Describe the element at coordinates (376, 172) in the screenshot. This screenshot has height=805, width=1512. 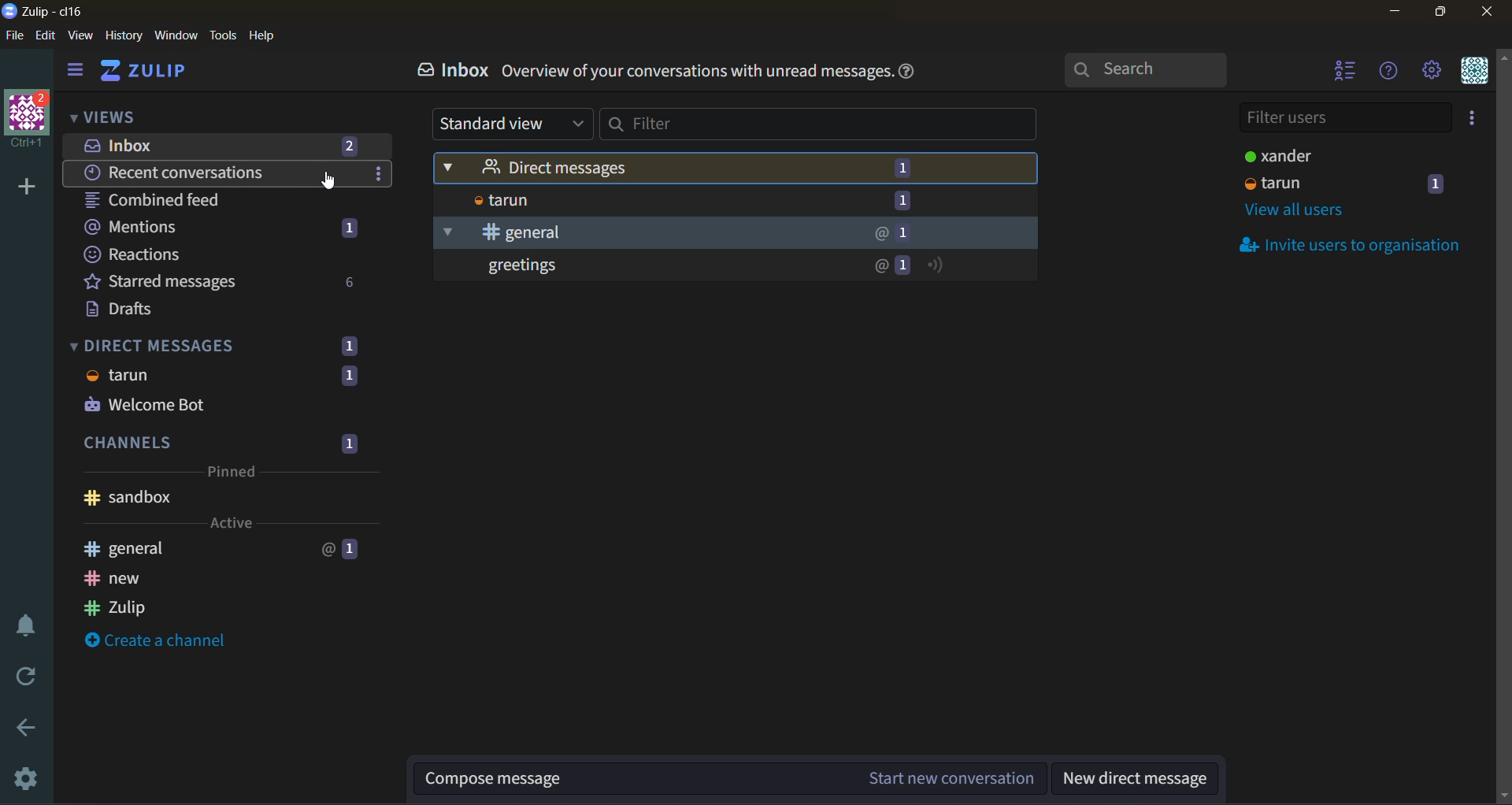
I see `option` at that location.